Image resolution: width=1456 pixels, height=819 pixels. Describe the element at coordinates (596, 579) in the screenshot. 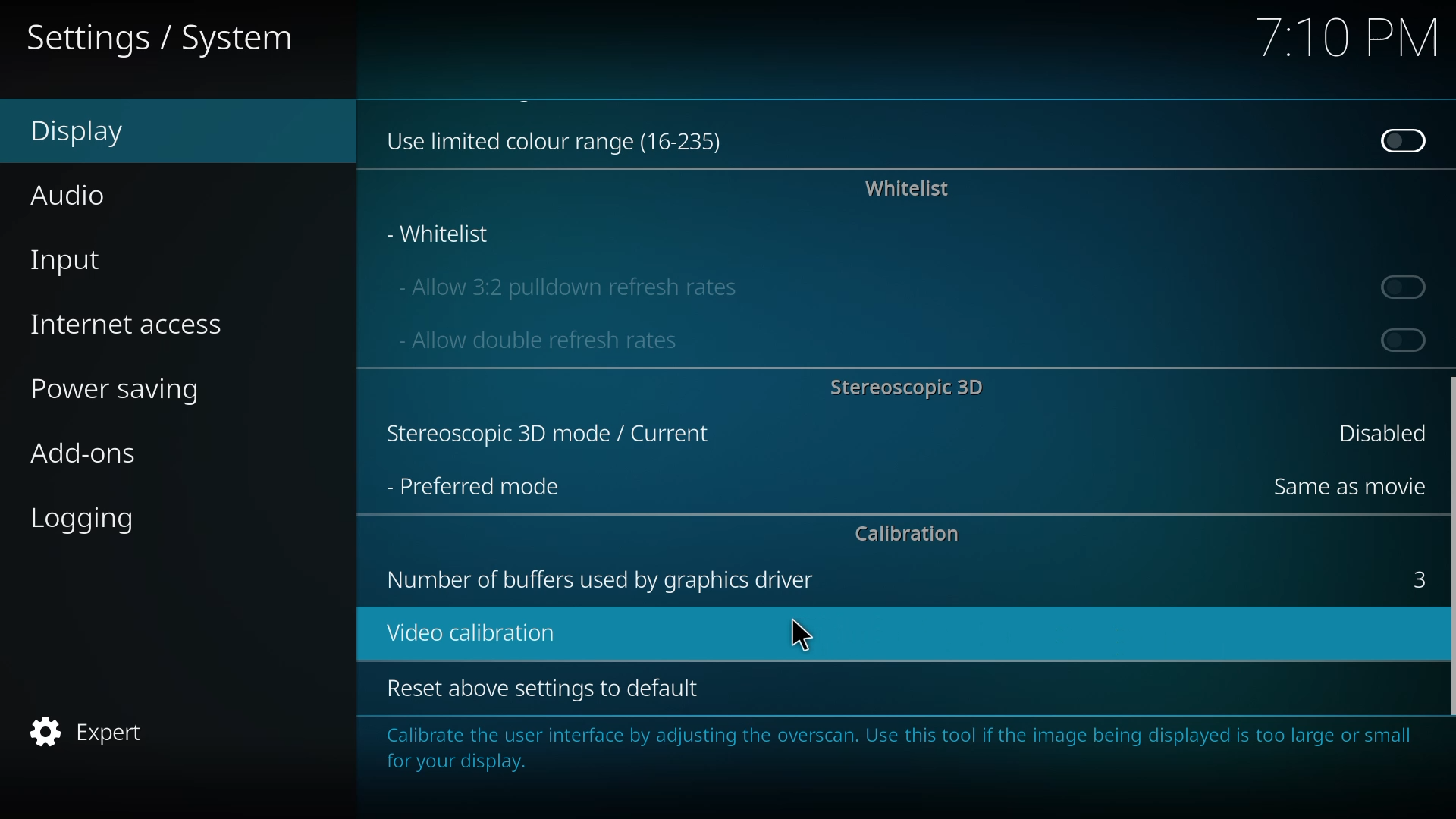

I see `number of buffers` at that location.